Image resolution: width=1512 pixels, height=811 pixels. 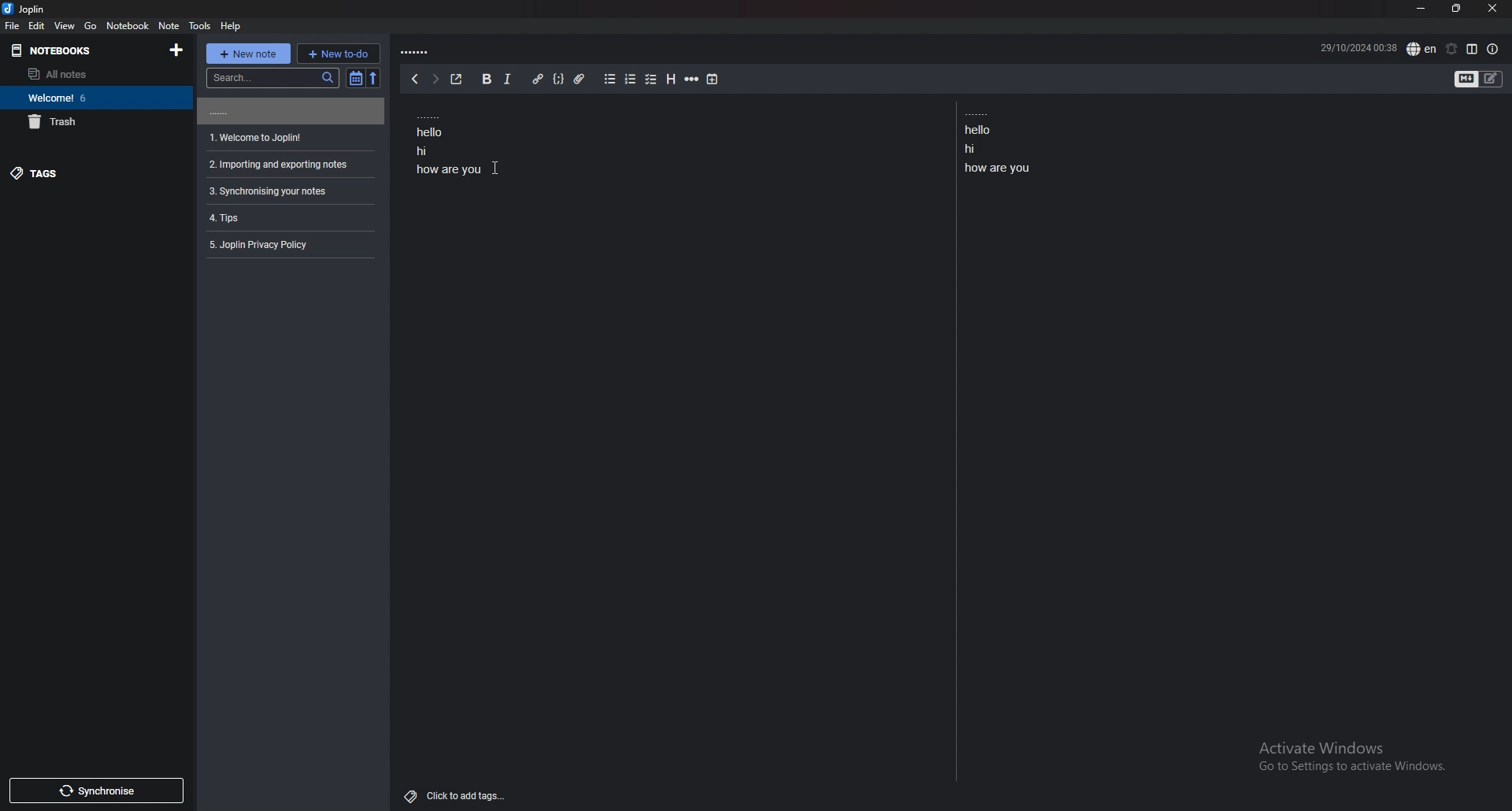 What do you see at coordinates (97, 791) in the screenshot?
I see `synchronise` at bounding box center [97, 791].